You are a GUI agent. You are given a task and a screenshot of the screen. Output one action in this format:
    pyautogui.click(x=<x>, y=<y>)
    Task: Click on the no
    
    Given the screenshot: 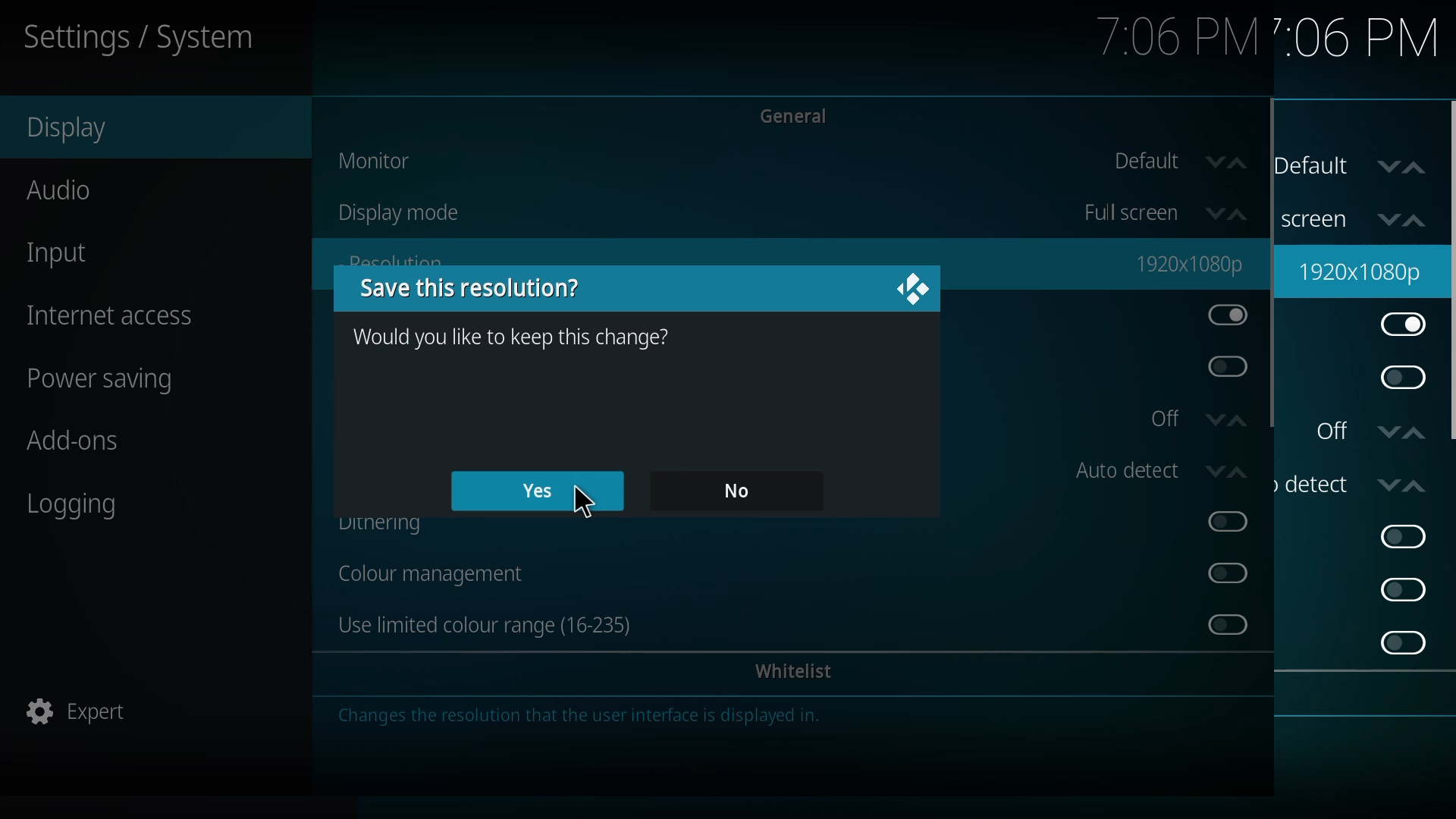 What is the action you would take?
    pyautogui.click(x=739, y=491)
    